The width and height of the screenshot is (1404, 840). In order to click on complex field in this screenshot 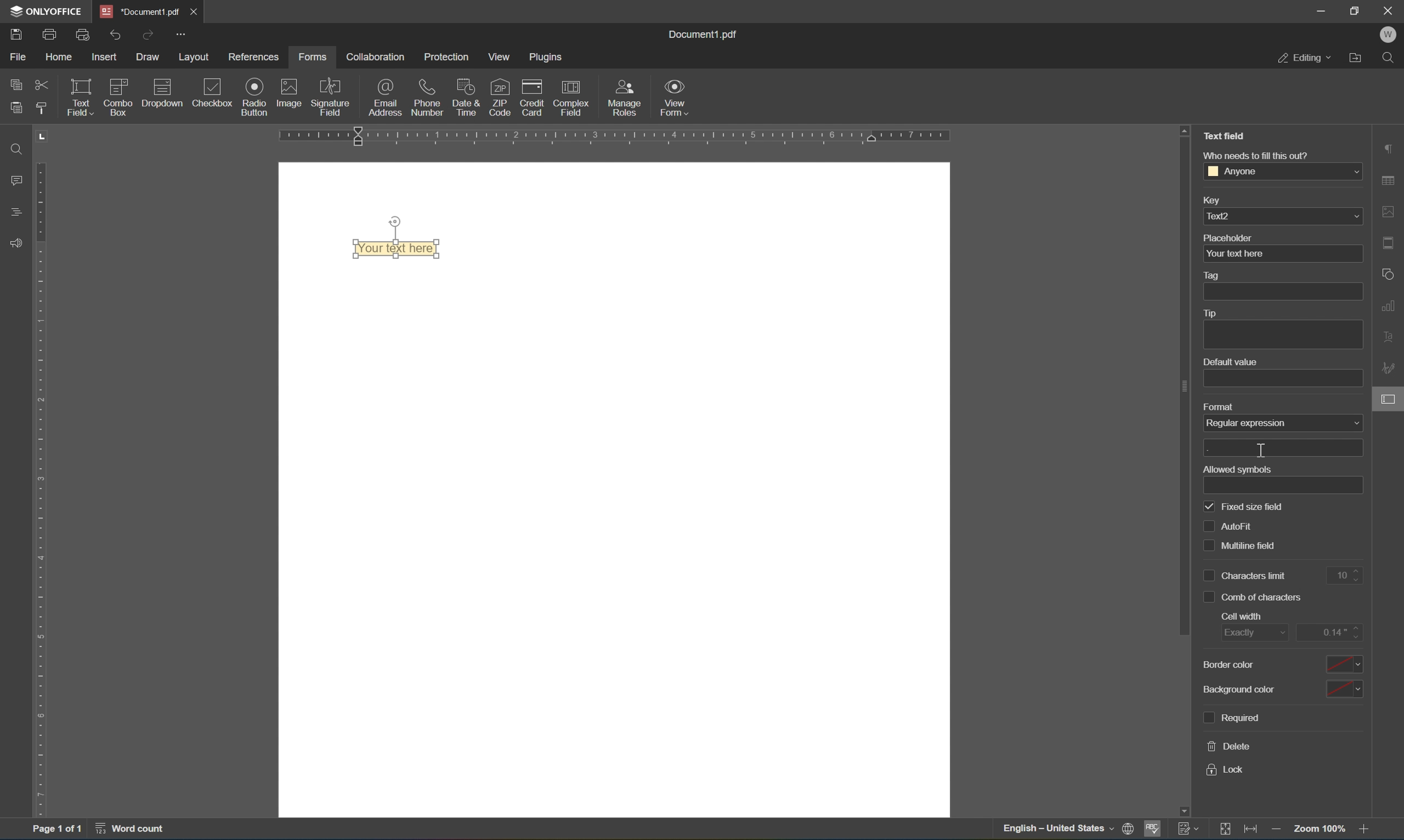, I will do `click(571, 97)`.